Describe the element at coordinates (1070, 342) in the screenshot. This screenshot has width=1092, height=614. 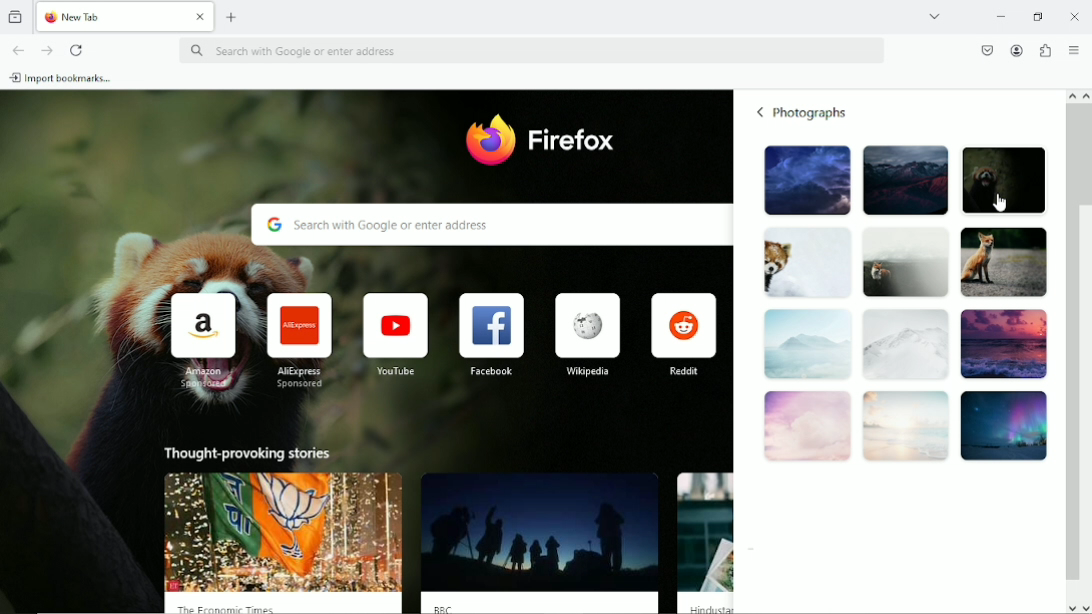
I see `vertical scrollbar` at that location.